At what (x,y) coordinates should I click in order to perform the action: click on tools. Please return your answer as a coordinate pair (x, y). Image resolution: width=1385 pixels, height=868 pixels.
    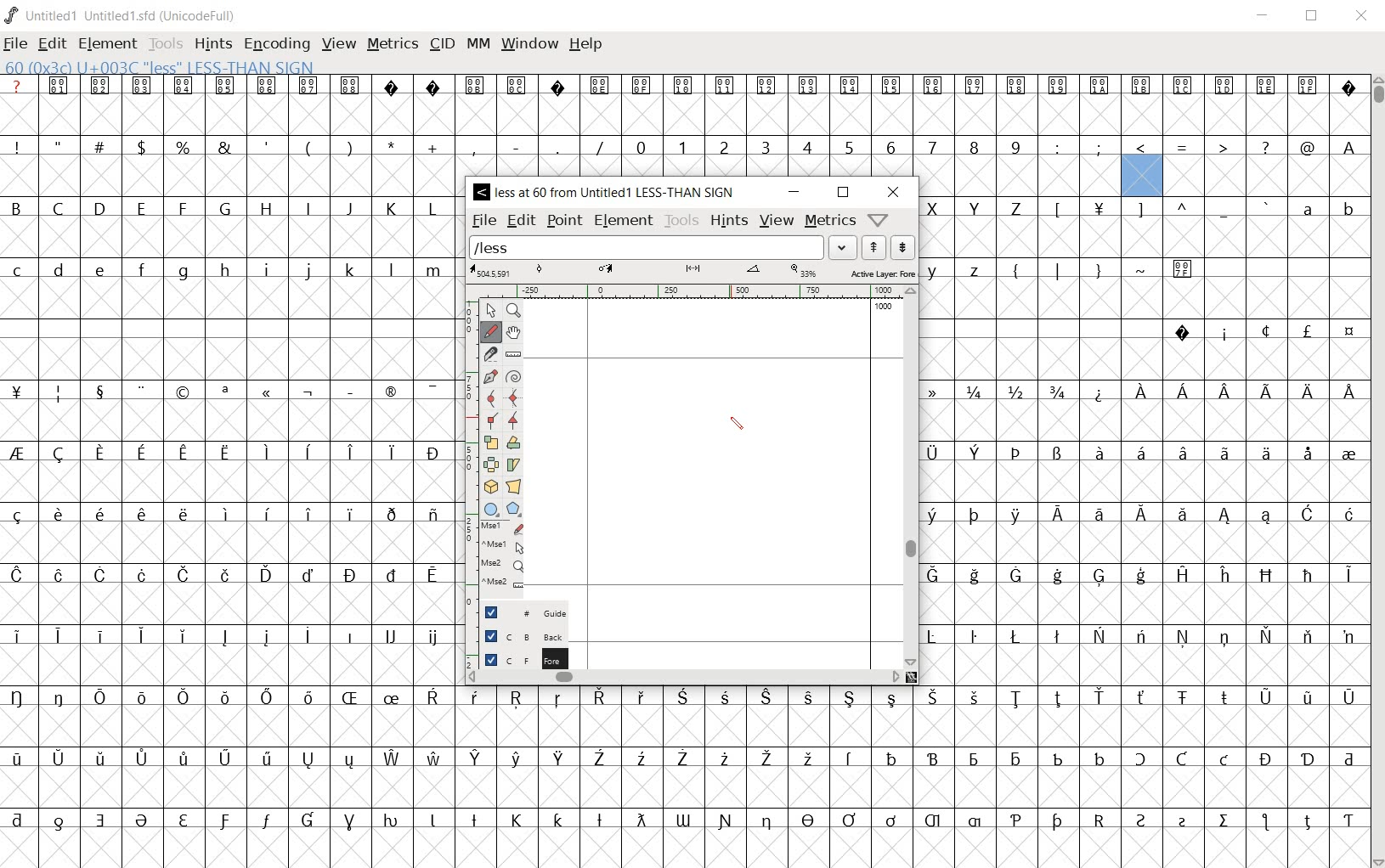
    Looking at the image, I should click on (681, 222).